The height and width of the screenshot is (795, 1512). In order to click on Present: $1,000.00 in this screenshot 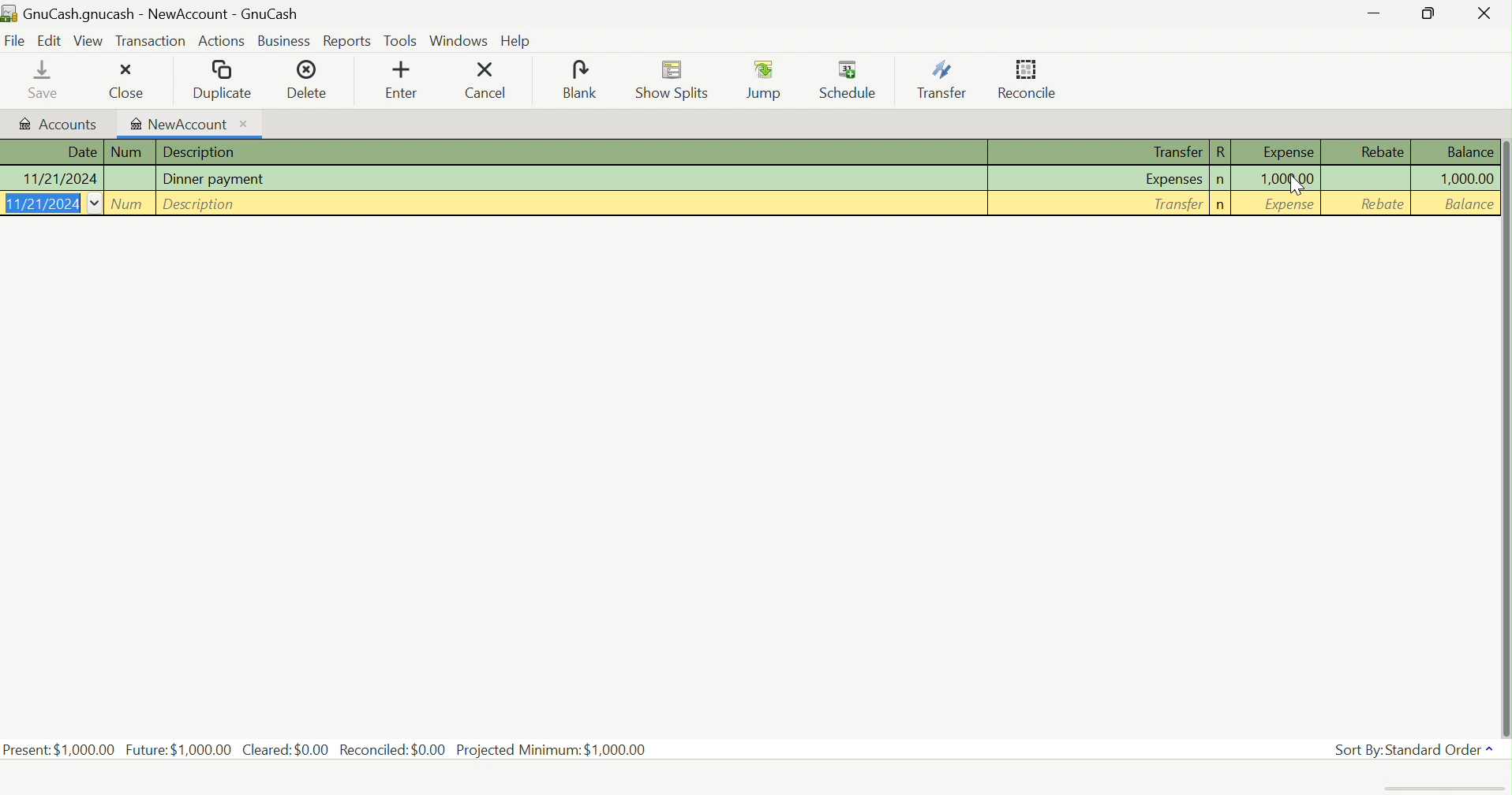, I will do `click(59, 749)`.